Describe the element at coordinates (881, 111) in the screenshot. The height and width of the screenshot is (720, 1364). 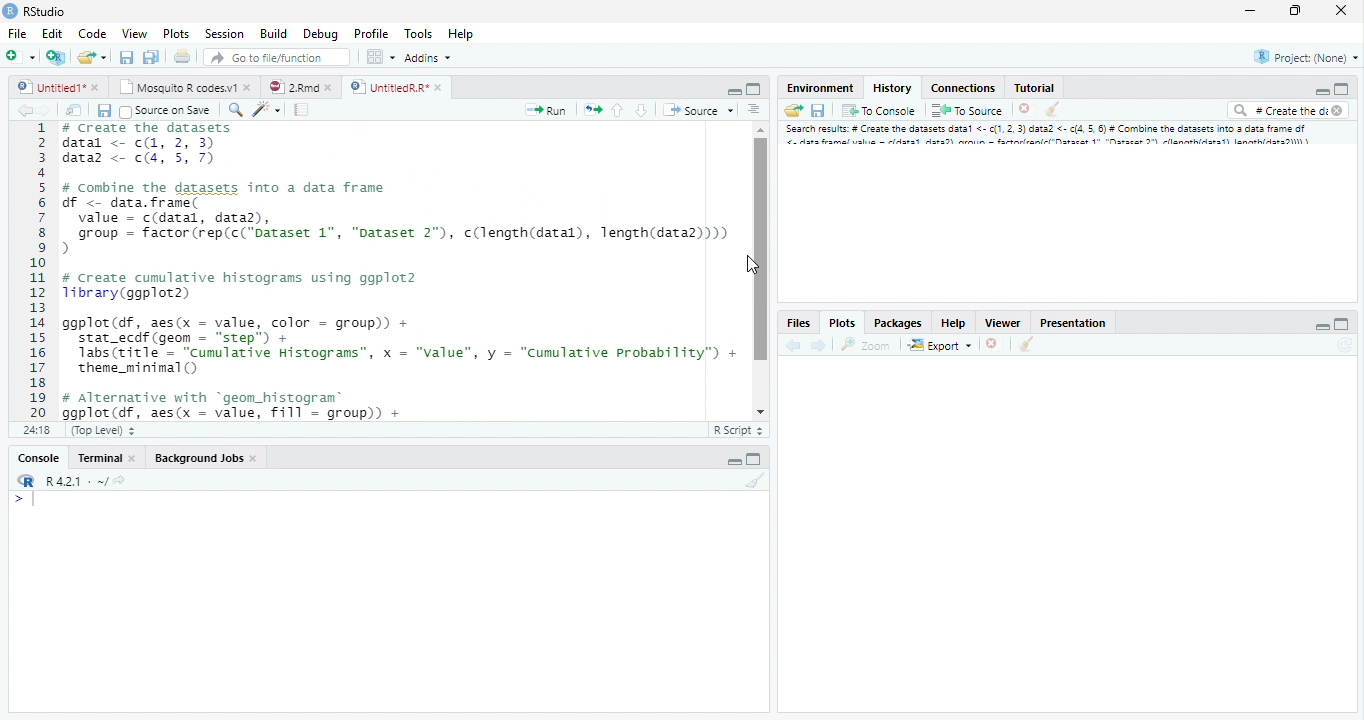
I see `To console` at that location.